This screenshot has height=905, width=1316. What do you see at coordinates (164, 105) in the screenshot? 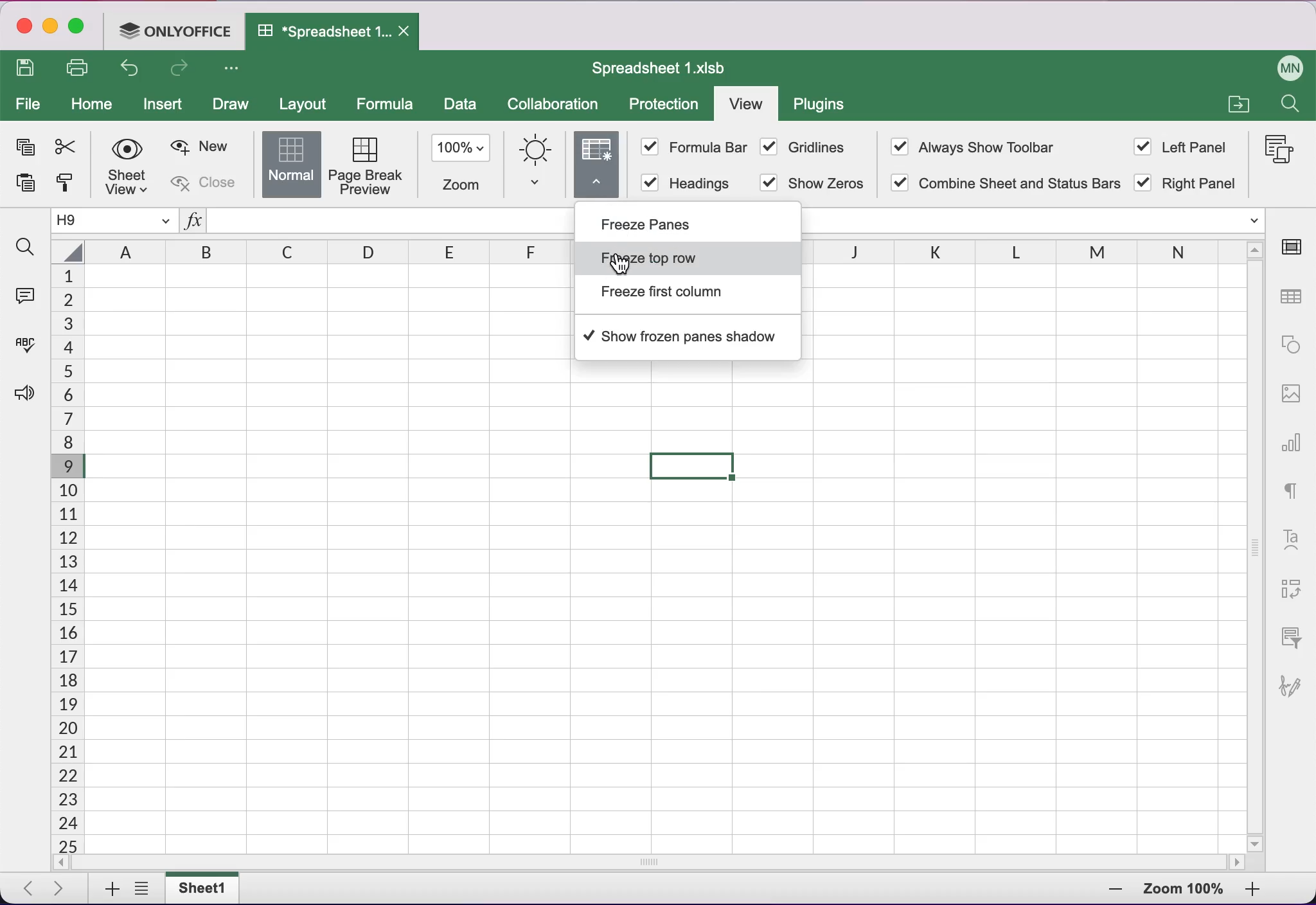
I see `insert` at bounding box center [164, 105].